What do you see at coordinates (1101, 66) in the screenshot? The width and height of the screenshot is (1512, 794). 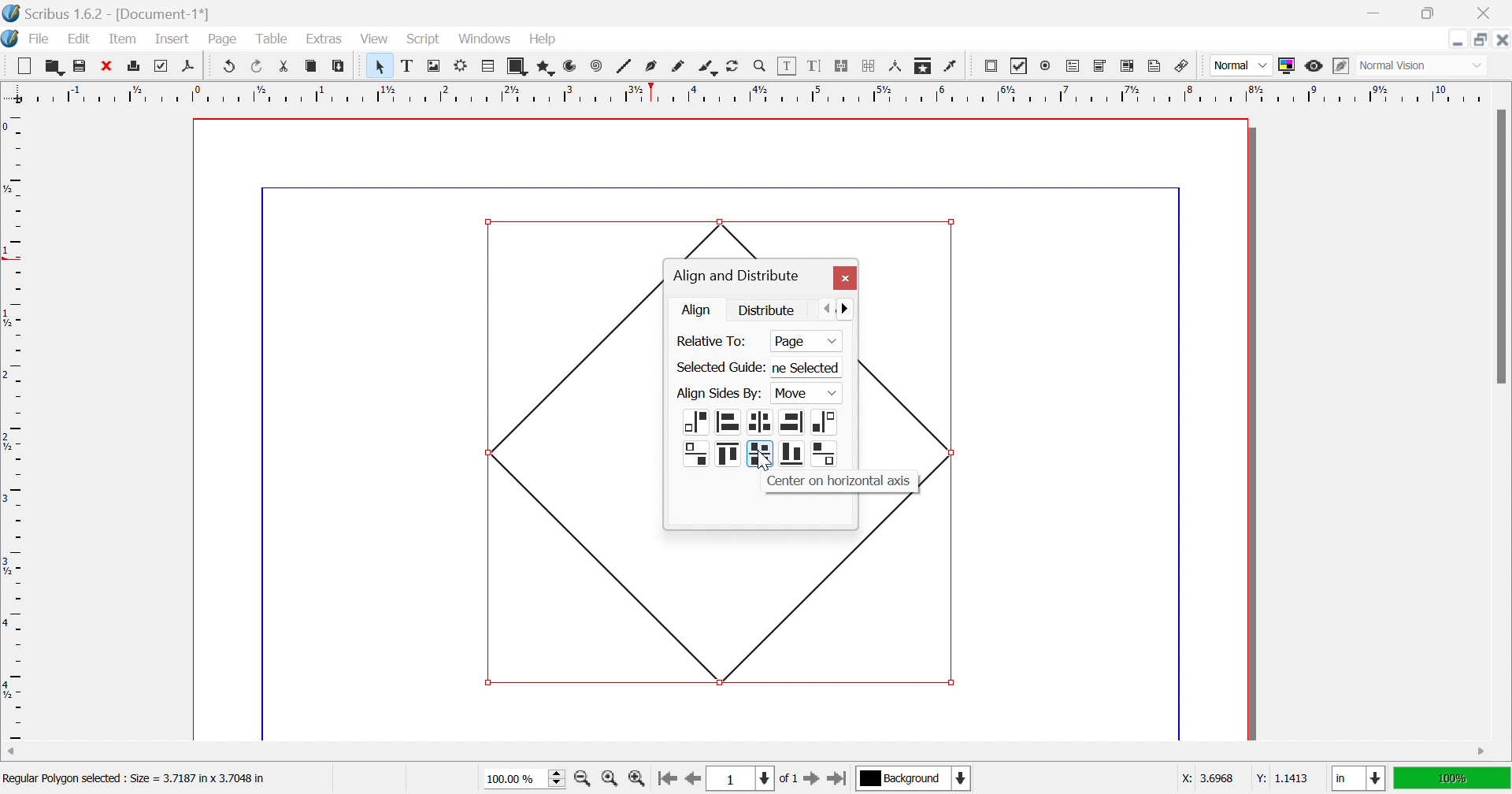 I see `PDF combo box` at bounding box center [1101, 66].